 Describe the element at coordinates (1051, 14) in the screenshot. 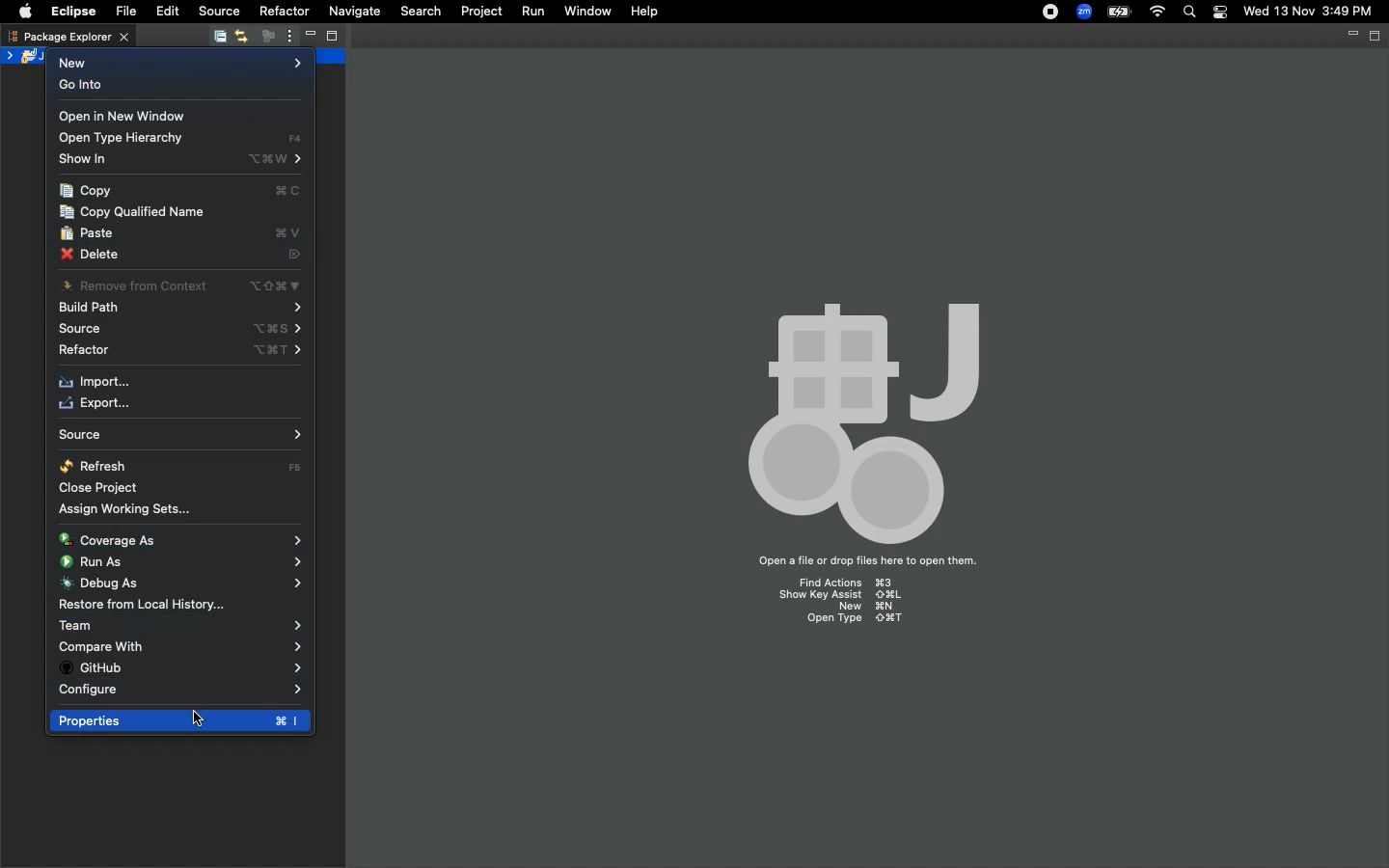

I see `Recording` at that location.